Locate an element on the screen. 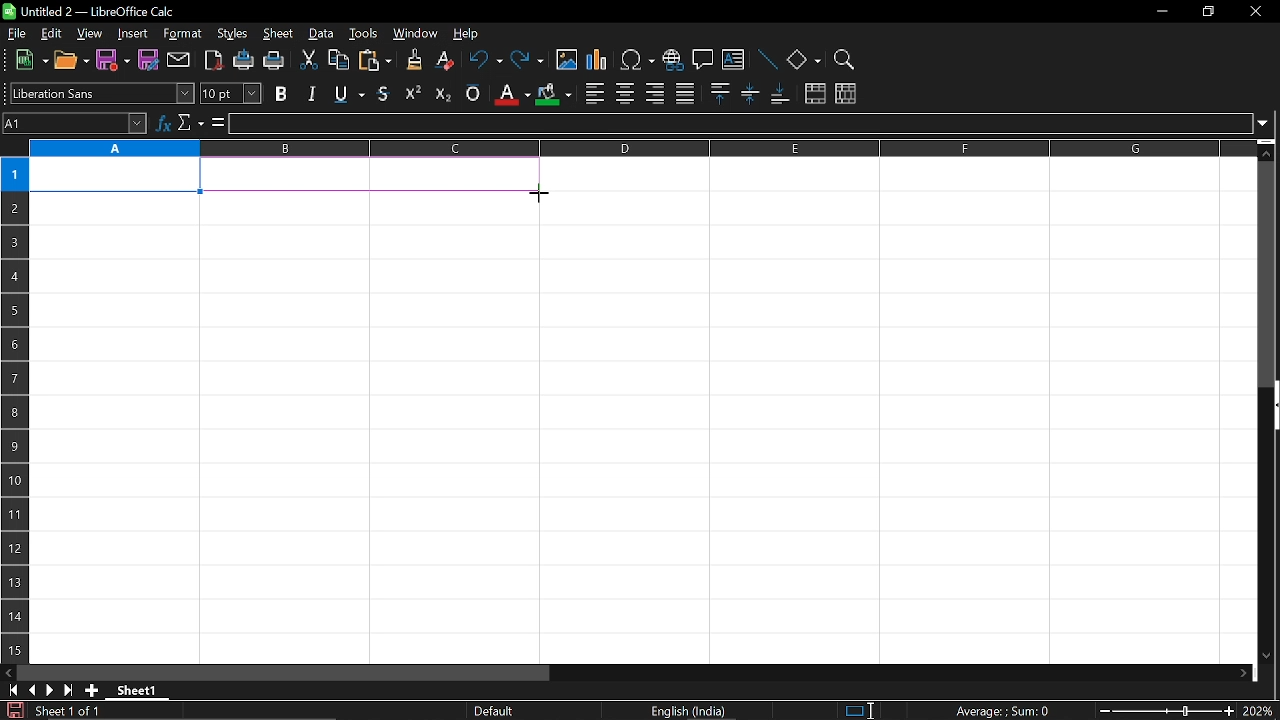  save is located at coordinates (113, 61).